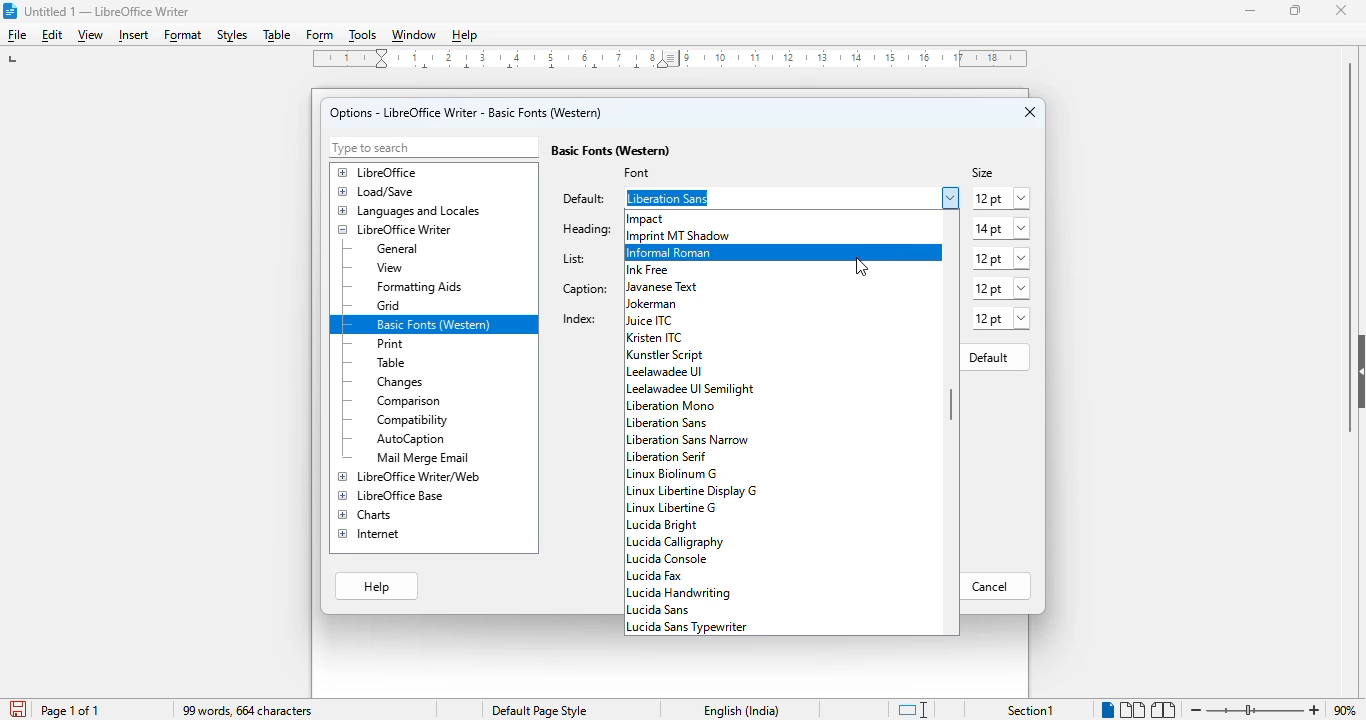 Image resolution: width=1366 pixels, height=720 pixels. Describe the element at coordinates (863, 267) in the screenshot. I see `cursor` at that location.